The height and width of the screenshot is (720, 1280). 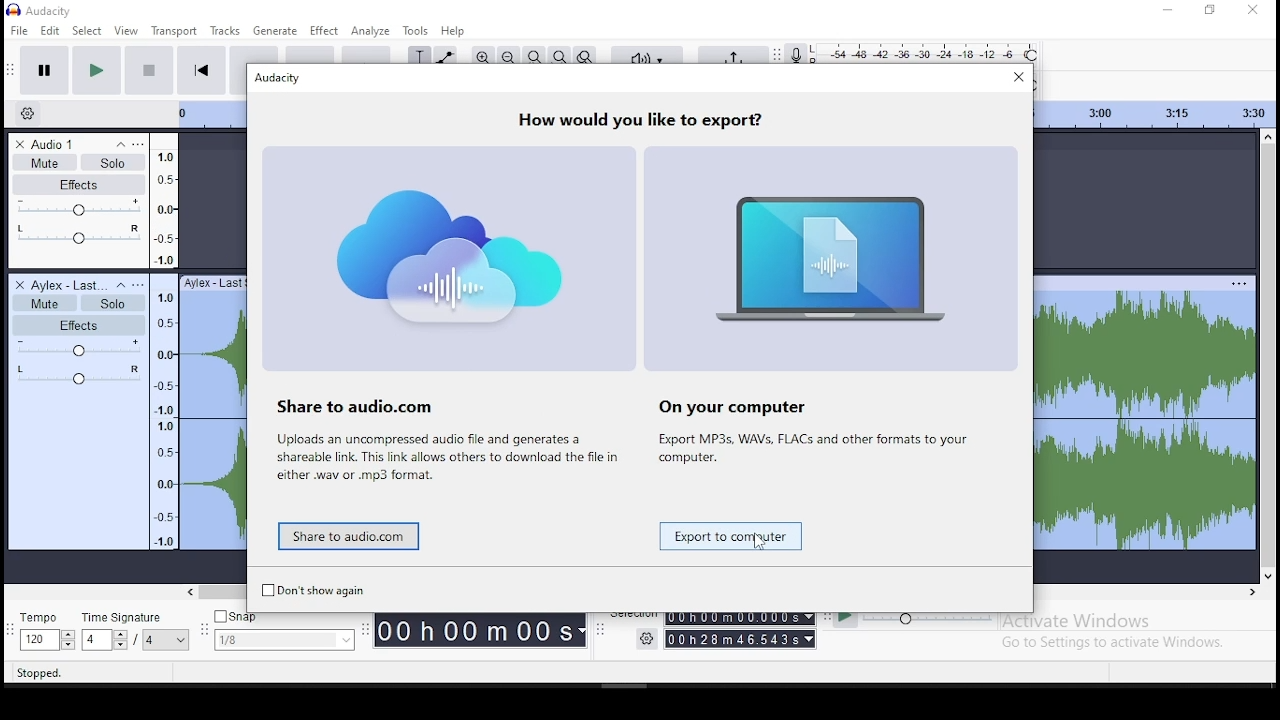 I want to click on effect, so click(x=324, y=31).